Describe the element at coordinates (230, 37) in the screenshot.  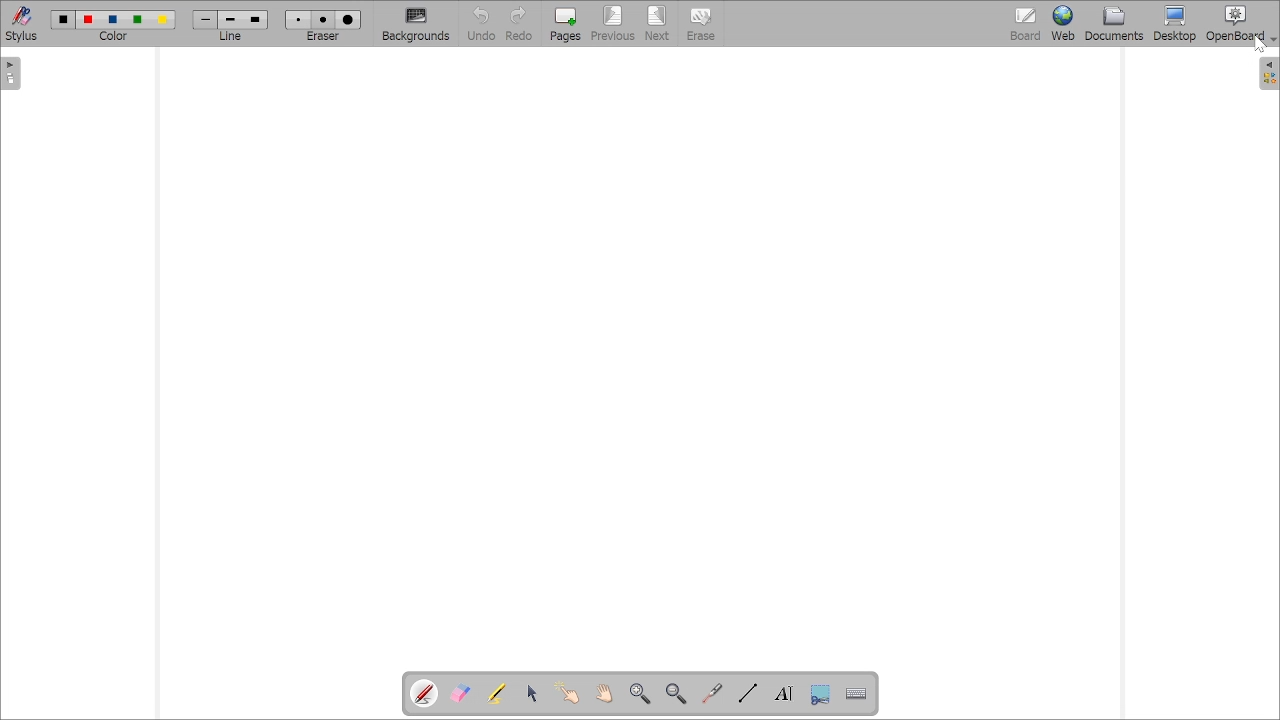
I see `line` at that location.